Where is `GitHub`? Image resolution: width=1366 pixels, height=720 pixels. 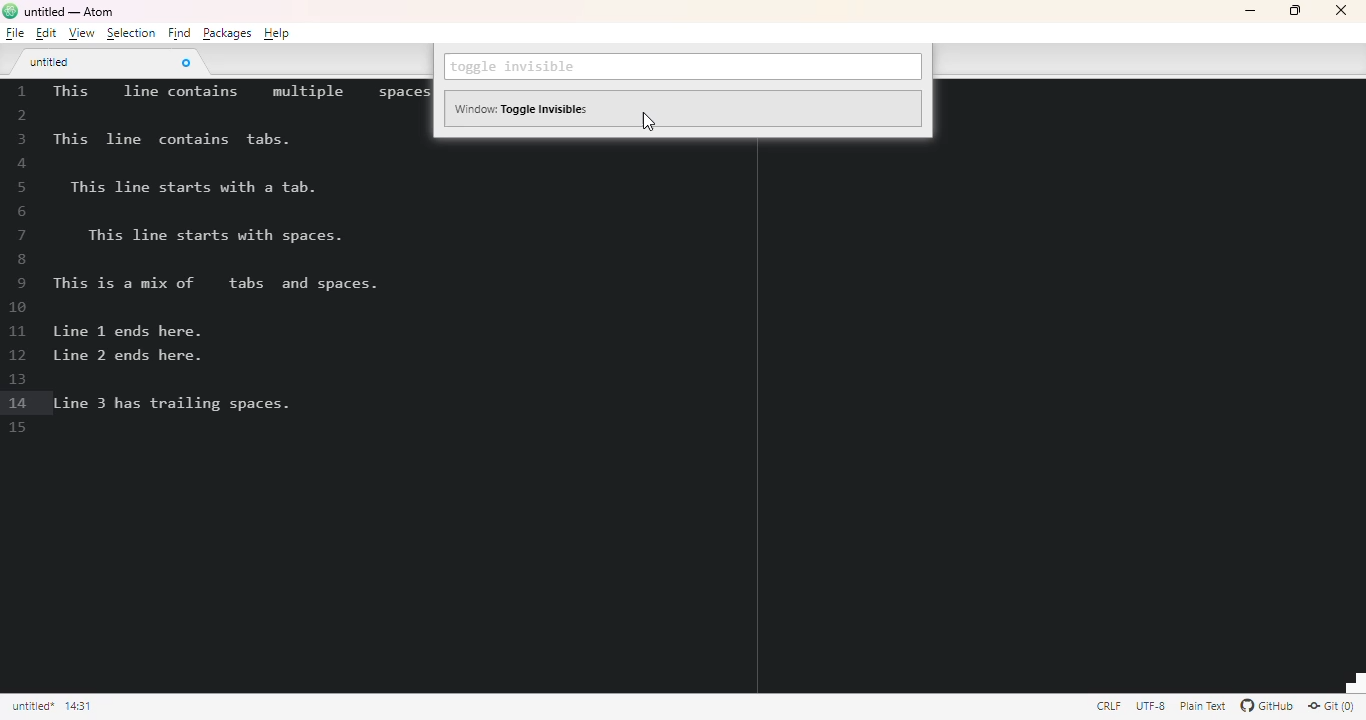 GitHub is located at coordinates (1267, 706).